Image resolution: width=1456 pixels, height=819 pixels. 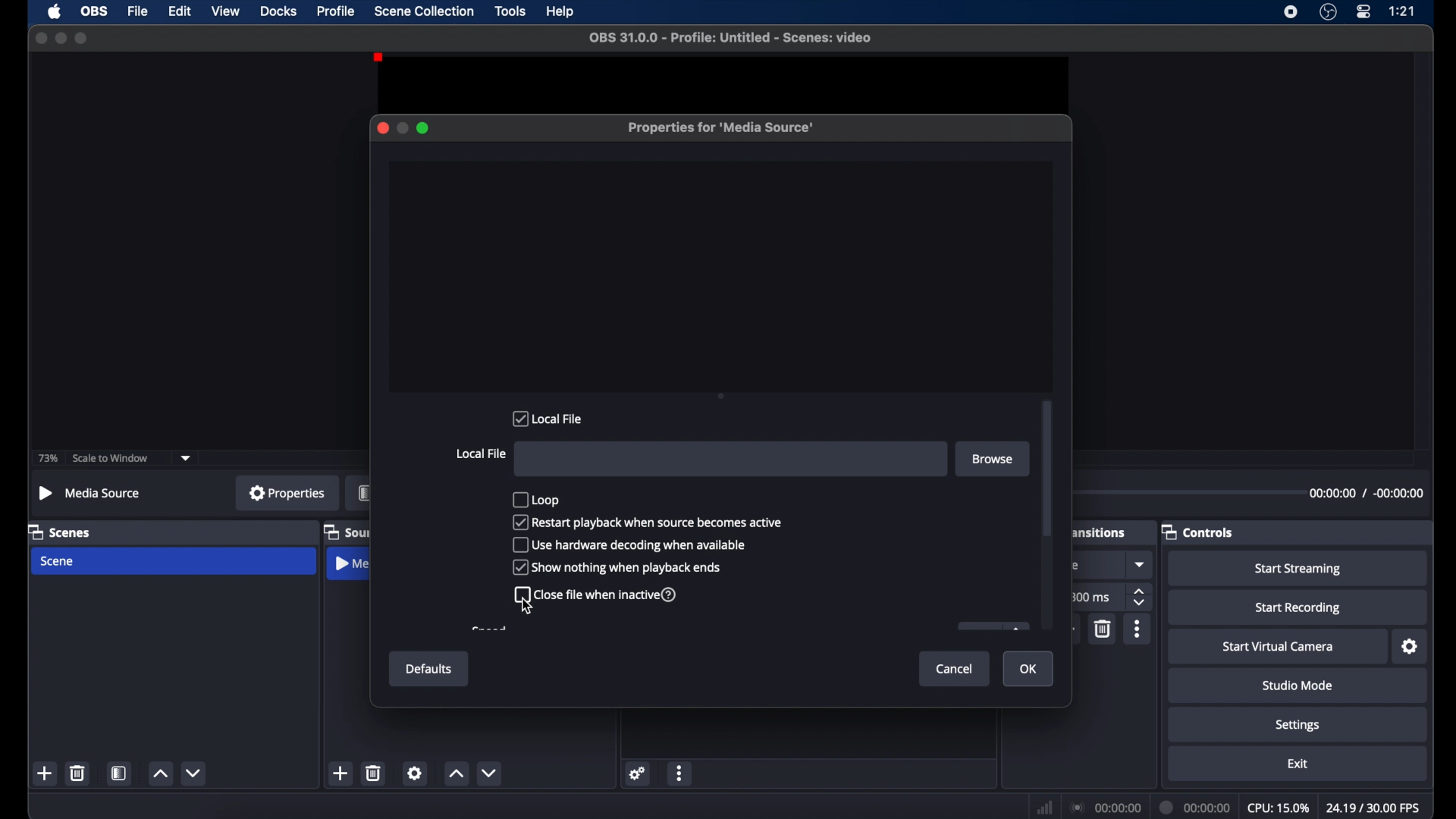 What do you see at coordinates (381, 127) in the screenshot?
I see `close` at bounding box center [381, 127].